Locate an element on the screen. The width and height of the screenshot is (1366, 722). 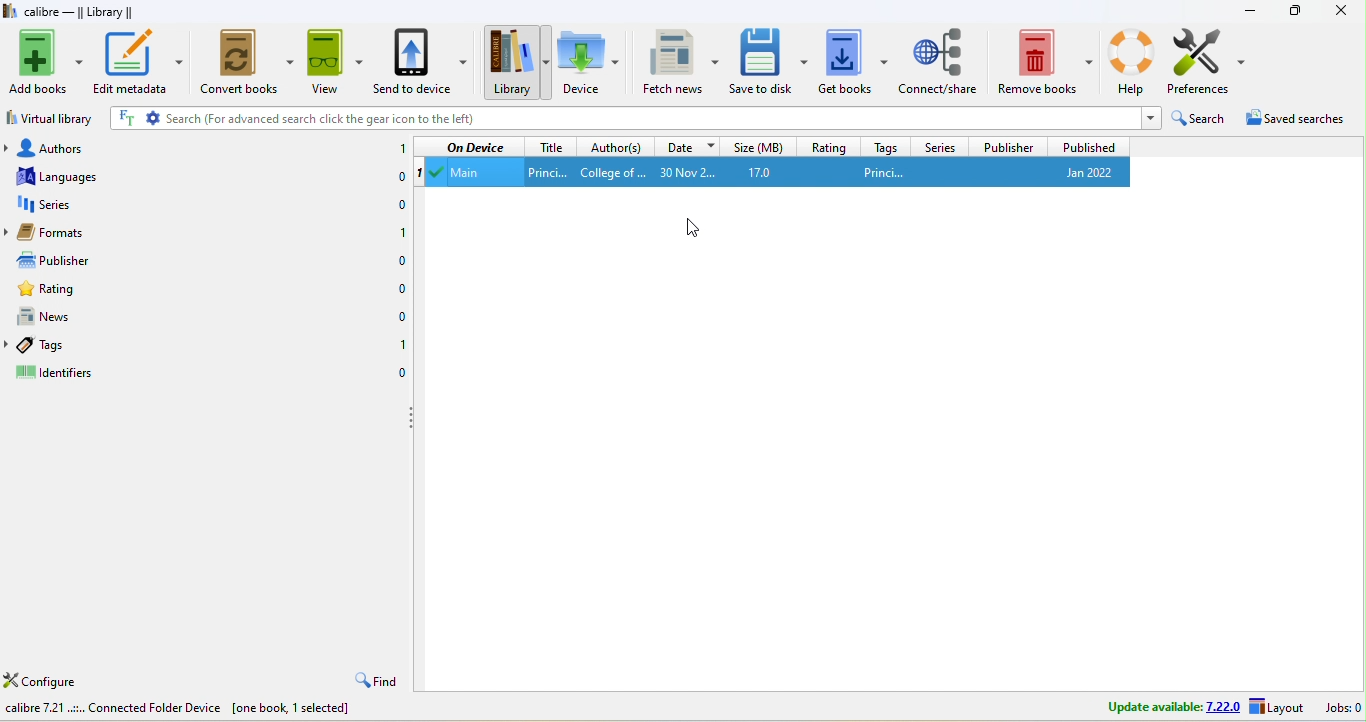
1 is located at coordinates (401, 349).